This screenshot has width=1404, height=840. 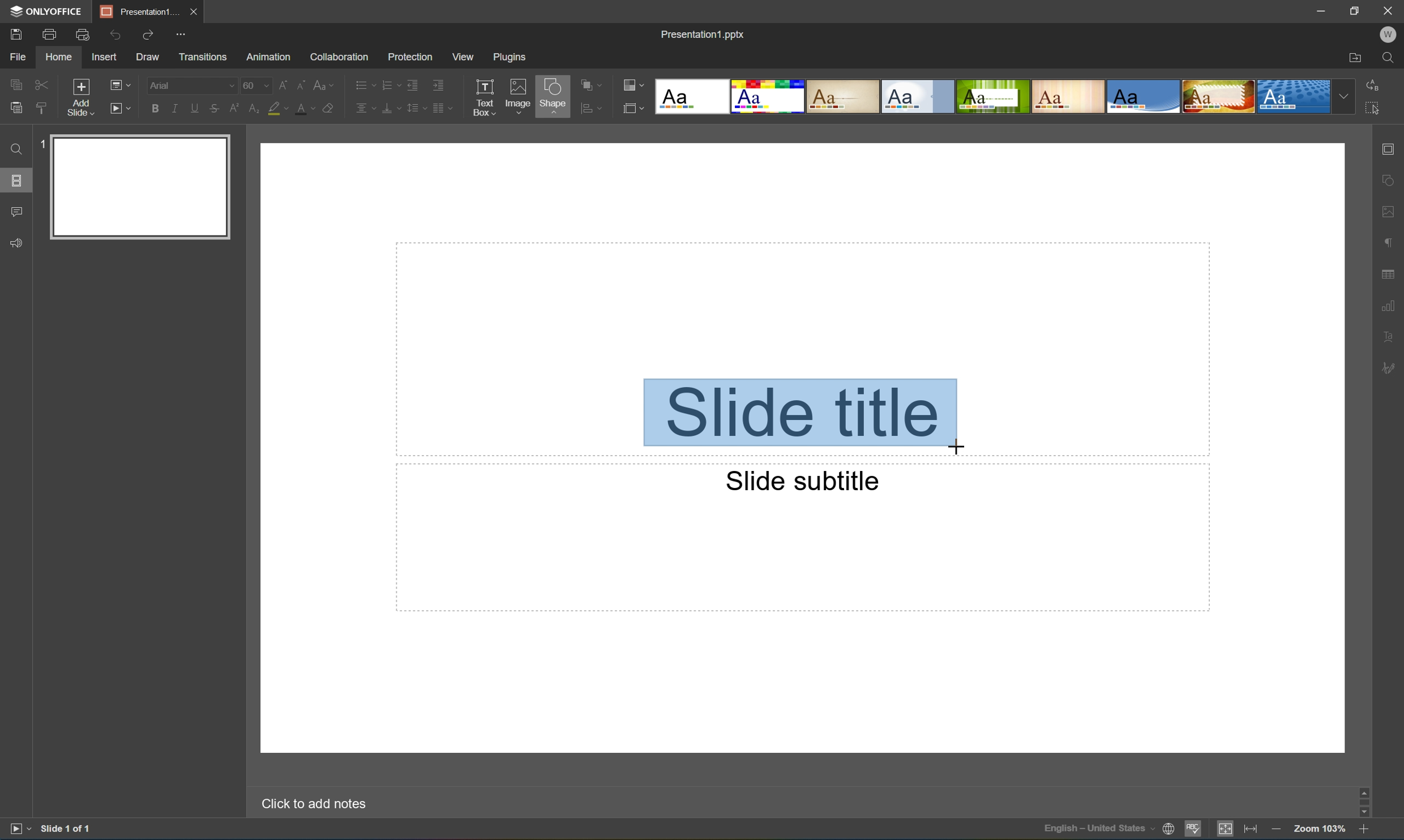 I want to click on View, so click(x=461, y=55).